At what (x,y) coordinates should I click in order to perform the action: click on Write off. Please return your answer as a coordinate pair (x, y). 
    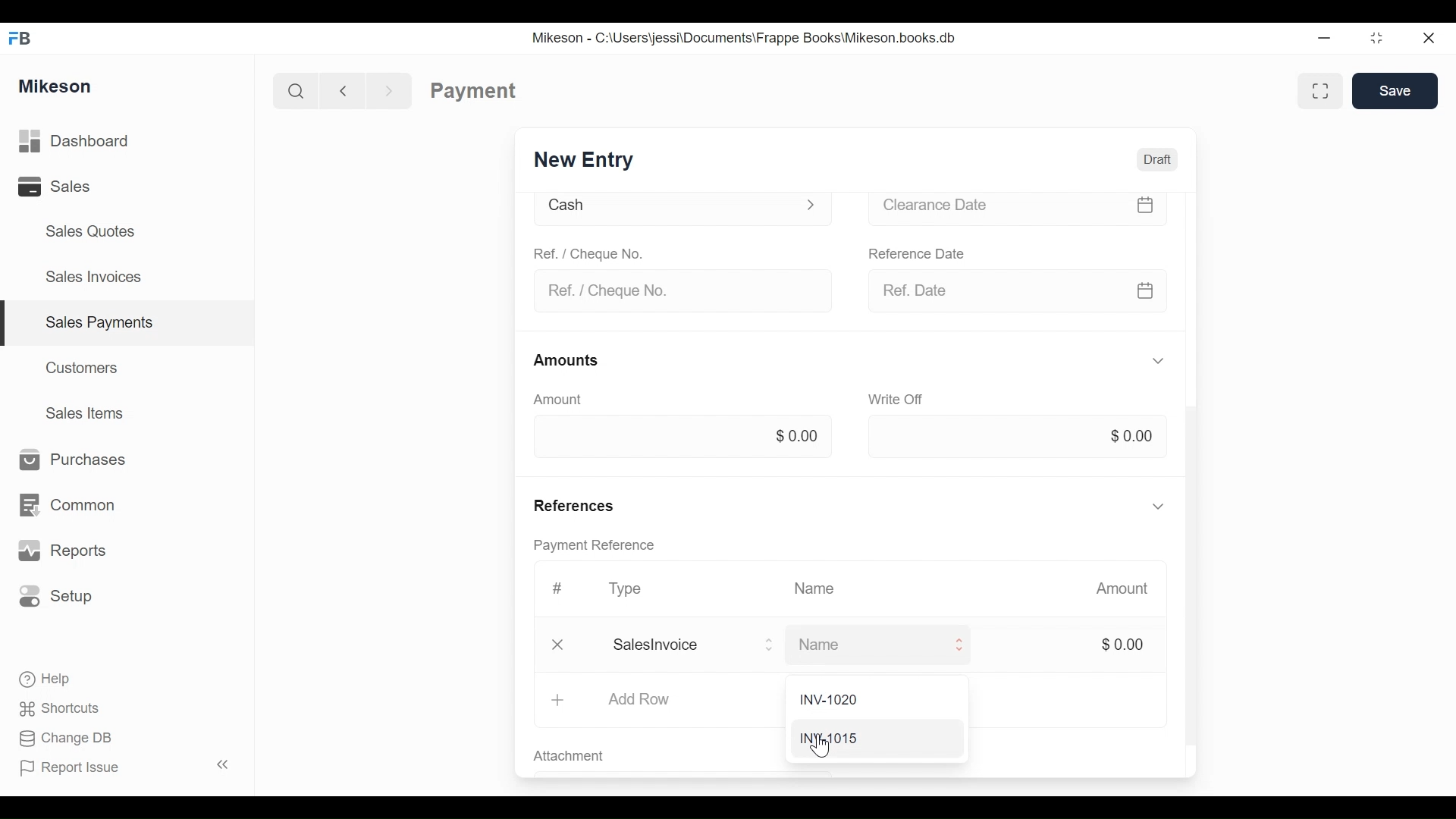
    Looking at the image, I should click on (898, 401).